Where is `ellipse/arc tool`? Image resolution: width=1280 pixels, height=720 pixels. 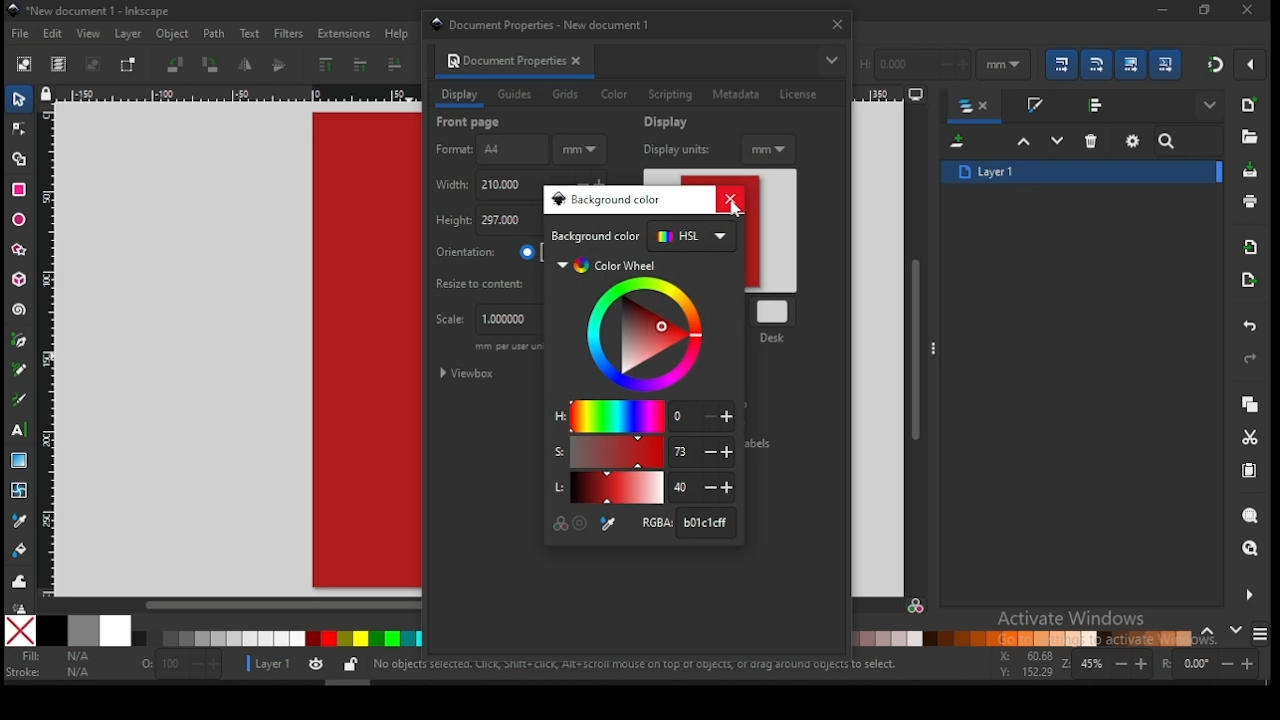 ellipse/arc tool is located at coordinates (20, 221).